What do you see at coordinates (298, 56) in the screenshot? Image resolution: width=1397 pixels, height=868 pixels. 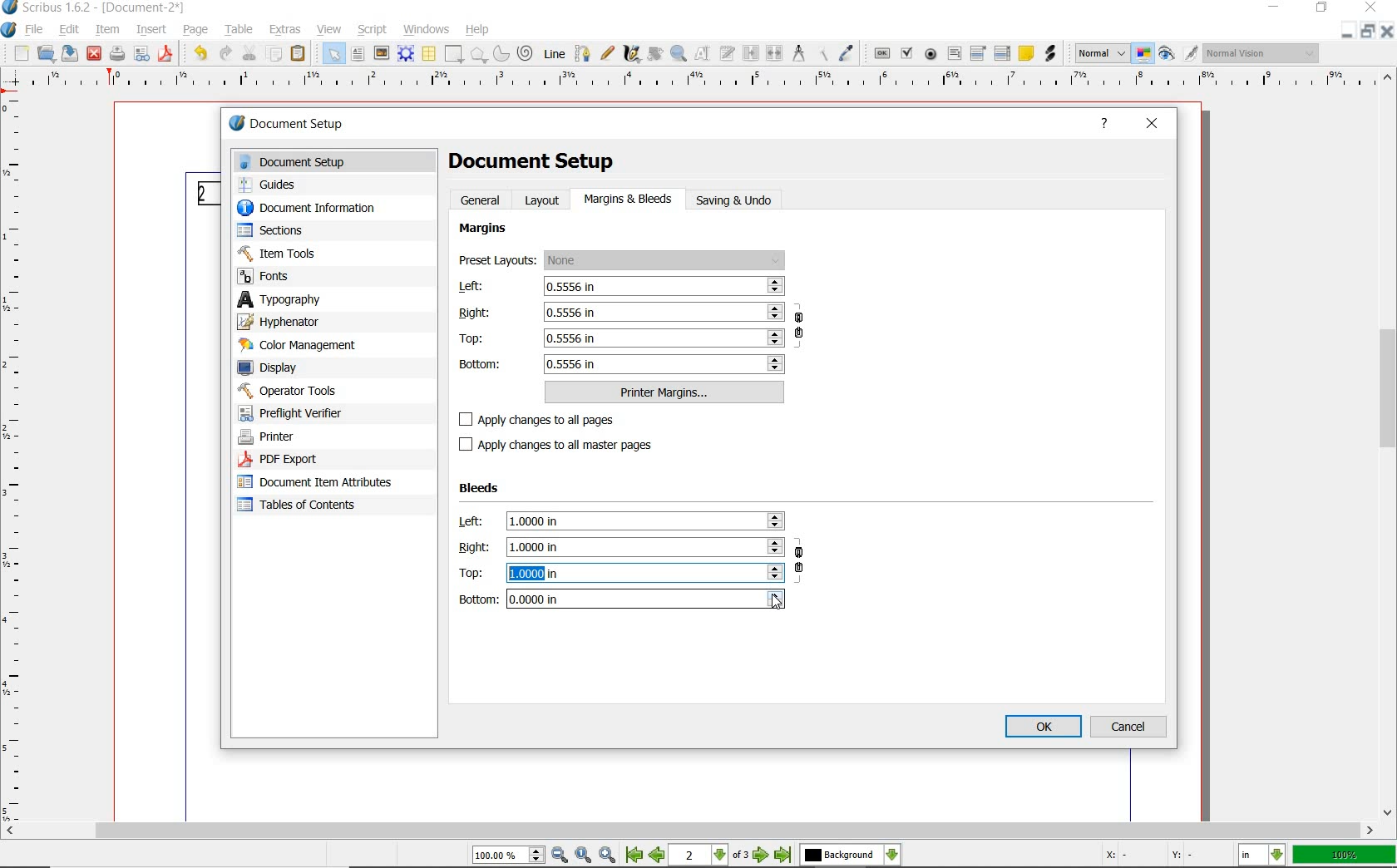 I see `paste` at bounding box center [298, 56].